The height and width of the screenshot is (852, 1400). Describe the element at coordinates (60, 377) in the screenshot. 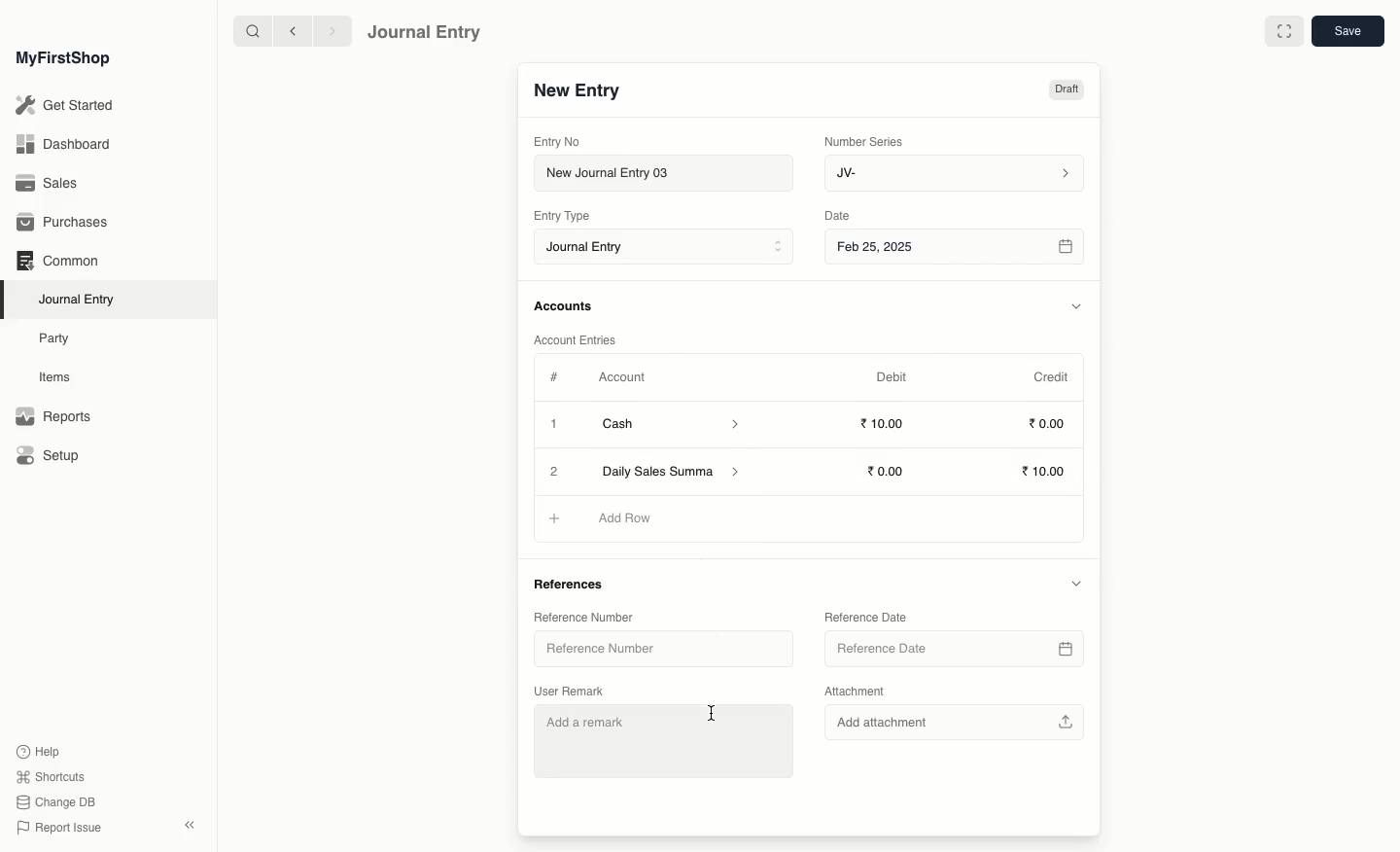

I see `Items` at that location.